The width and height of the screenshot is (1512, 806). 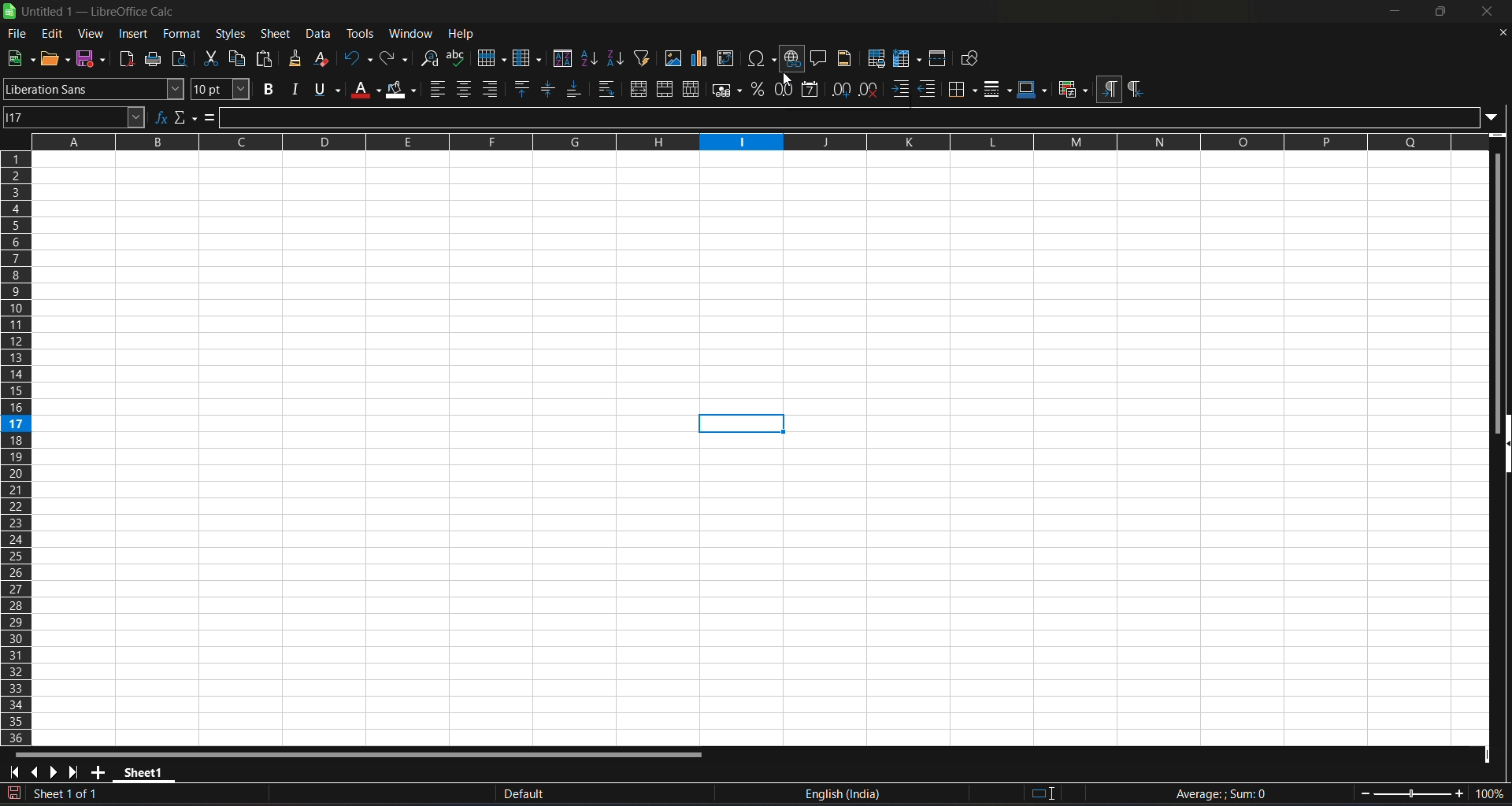 I want to click on scroll to first sheet, so click(x=13, y=772).